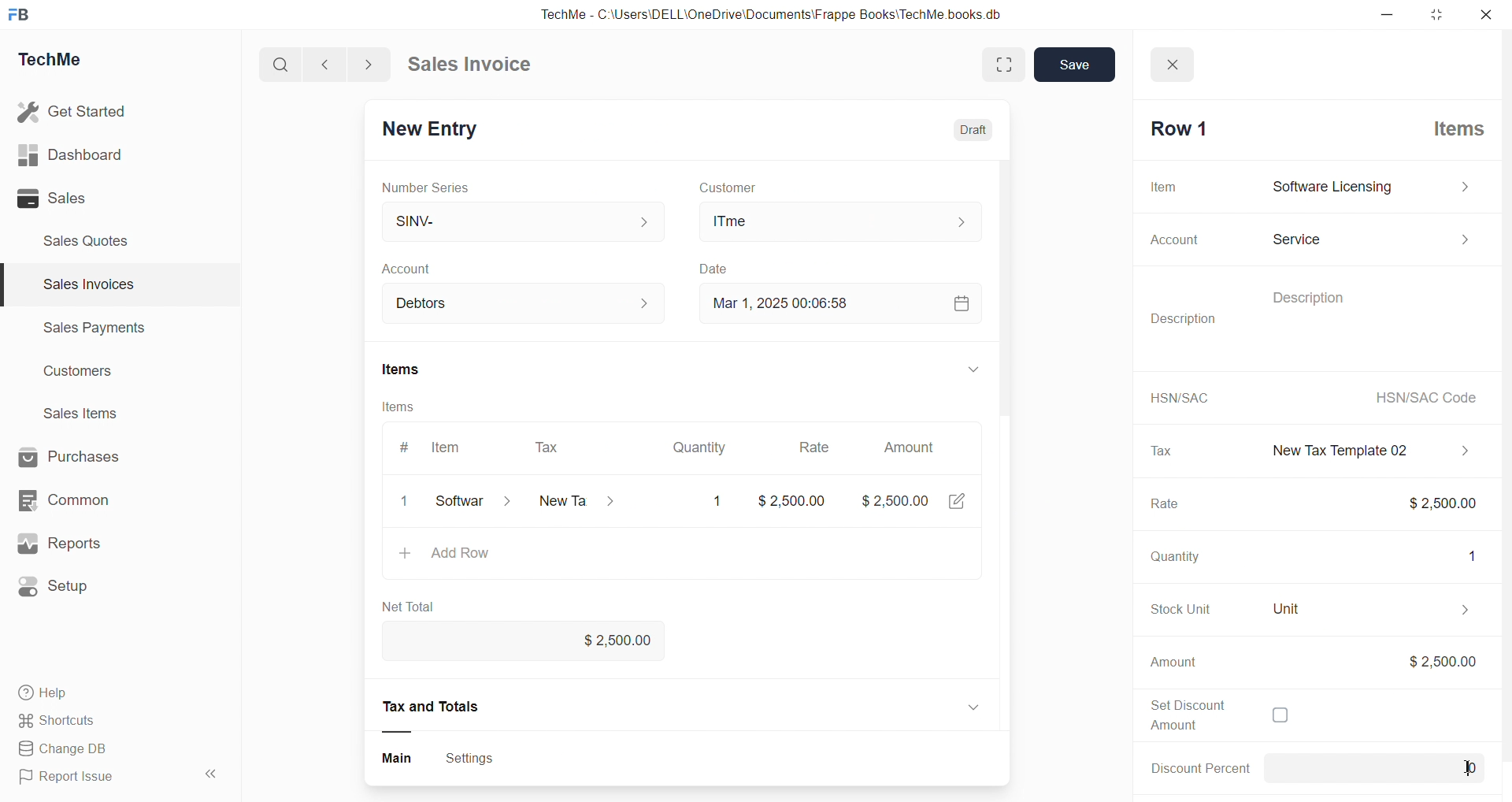 The height and width of the screenshot is (802, 1512). What do you see at coordinates (441, 300) in the screenshot?
I see `Account` at bounding box center [441, 300].